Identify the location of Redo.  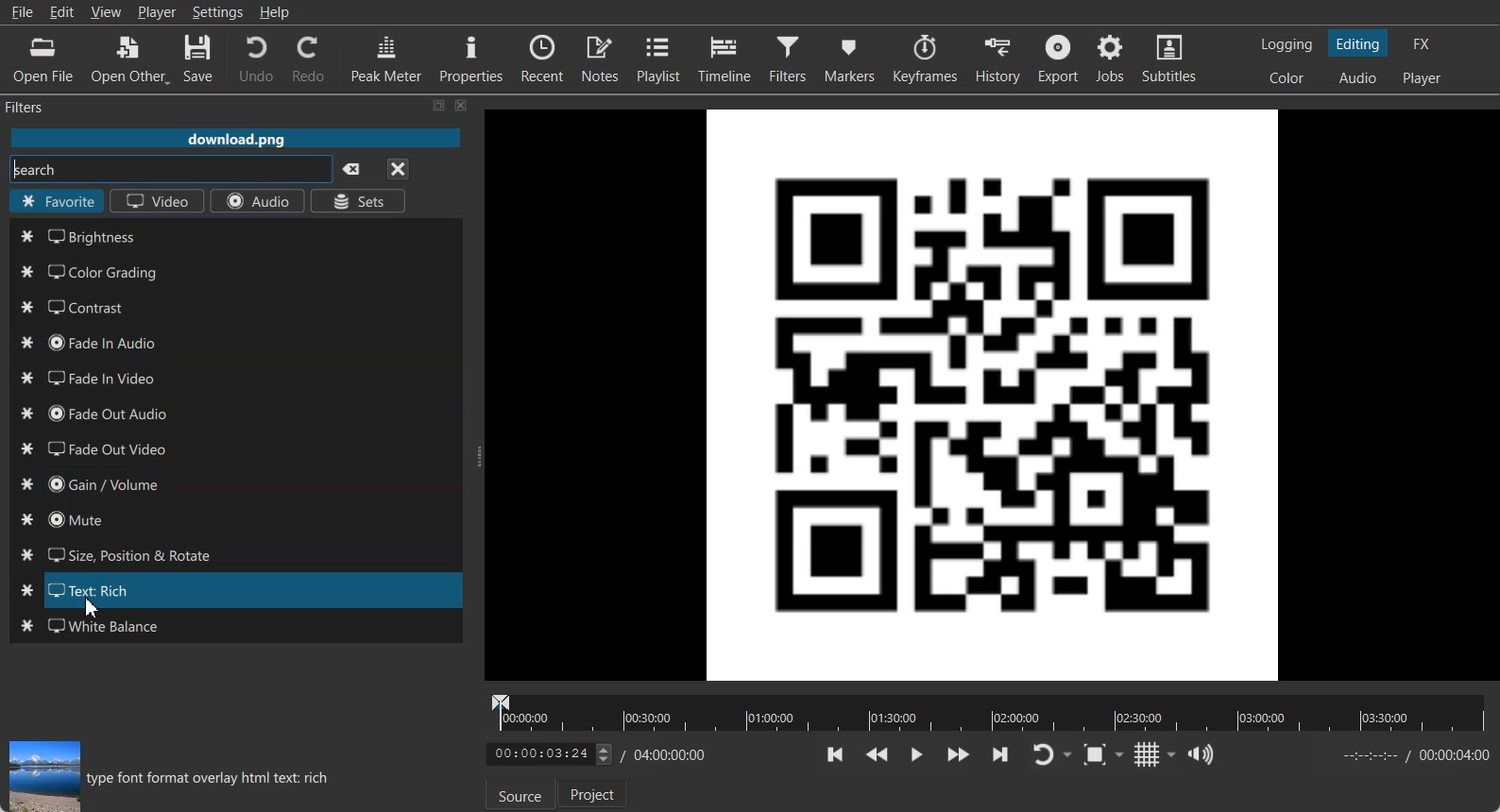
(310, 59).